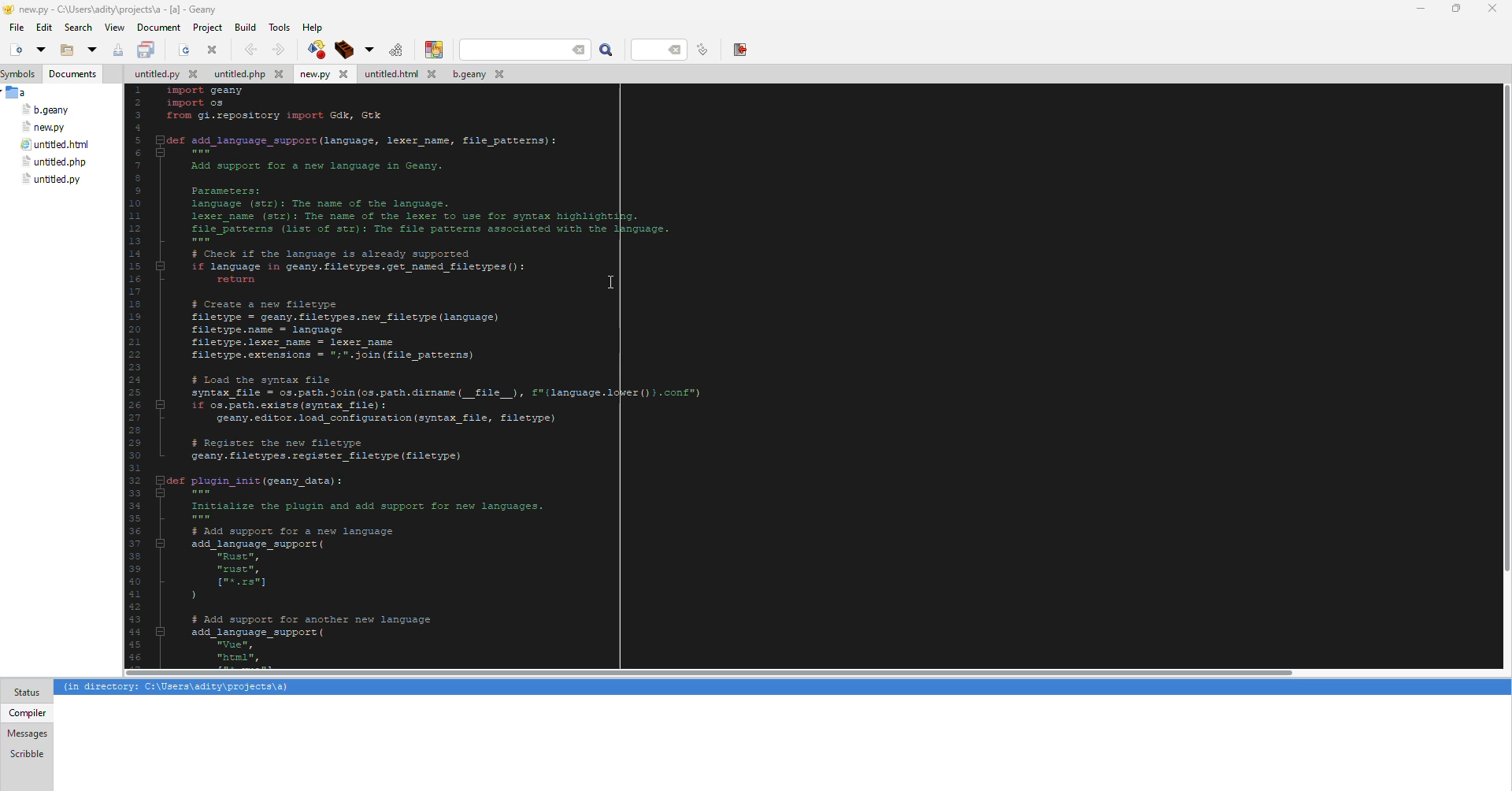 Image resolution: width=1512 pixels, height=791 pixels. Describe the element at coordinates (1418, 8) in the screenshot. I see `minimize` at that location.